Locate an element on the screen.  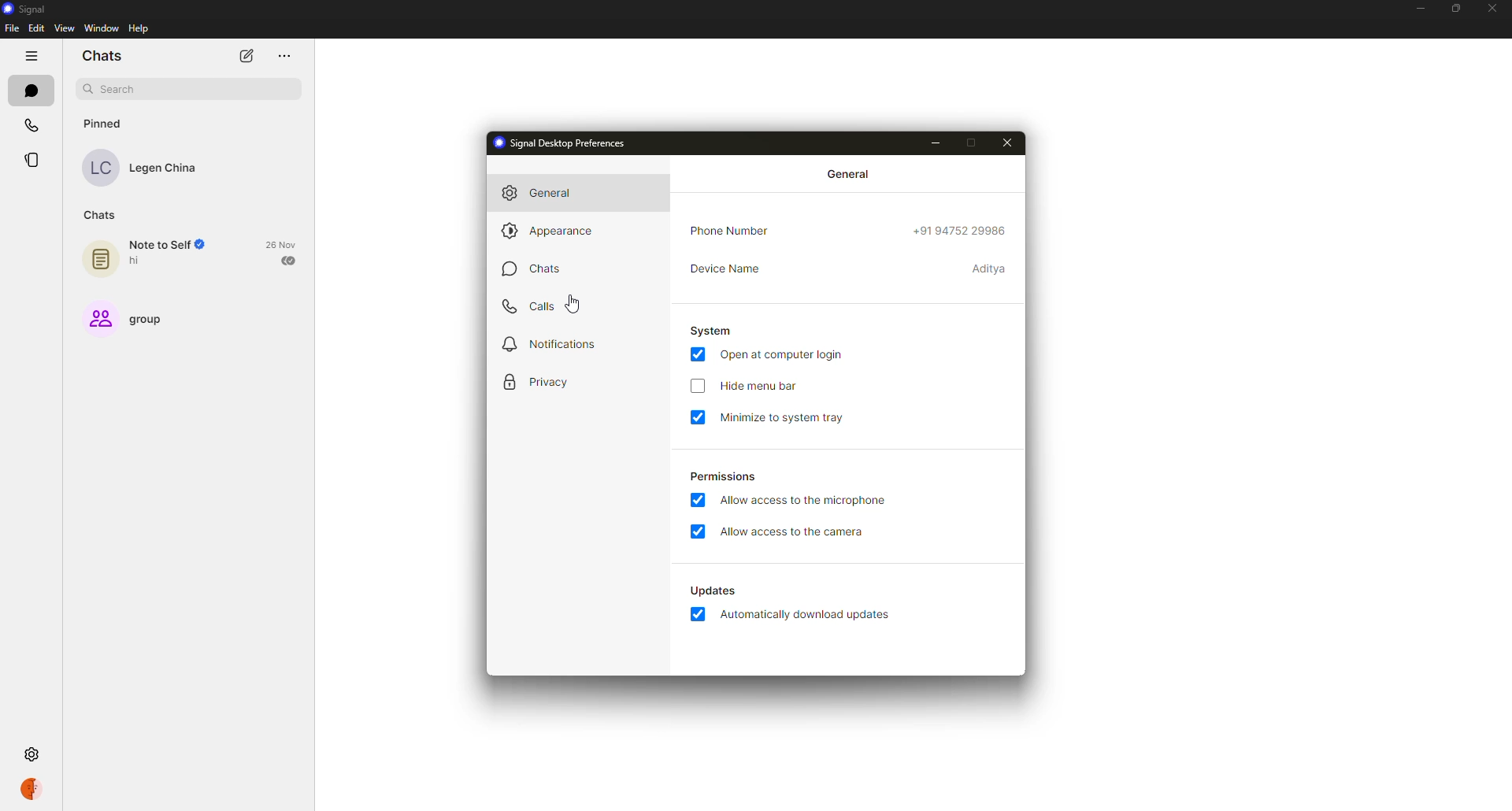
signal desktop preferences is located at coordinates (560, 144).